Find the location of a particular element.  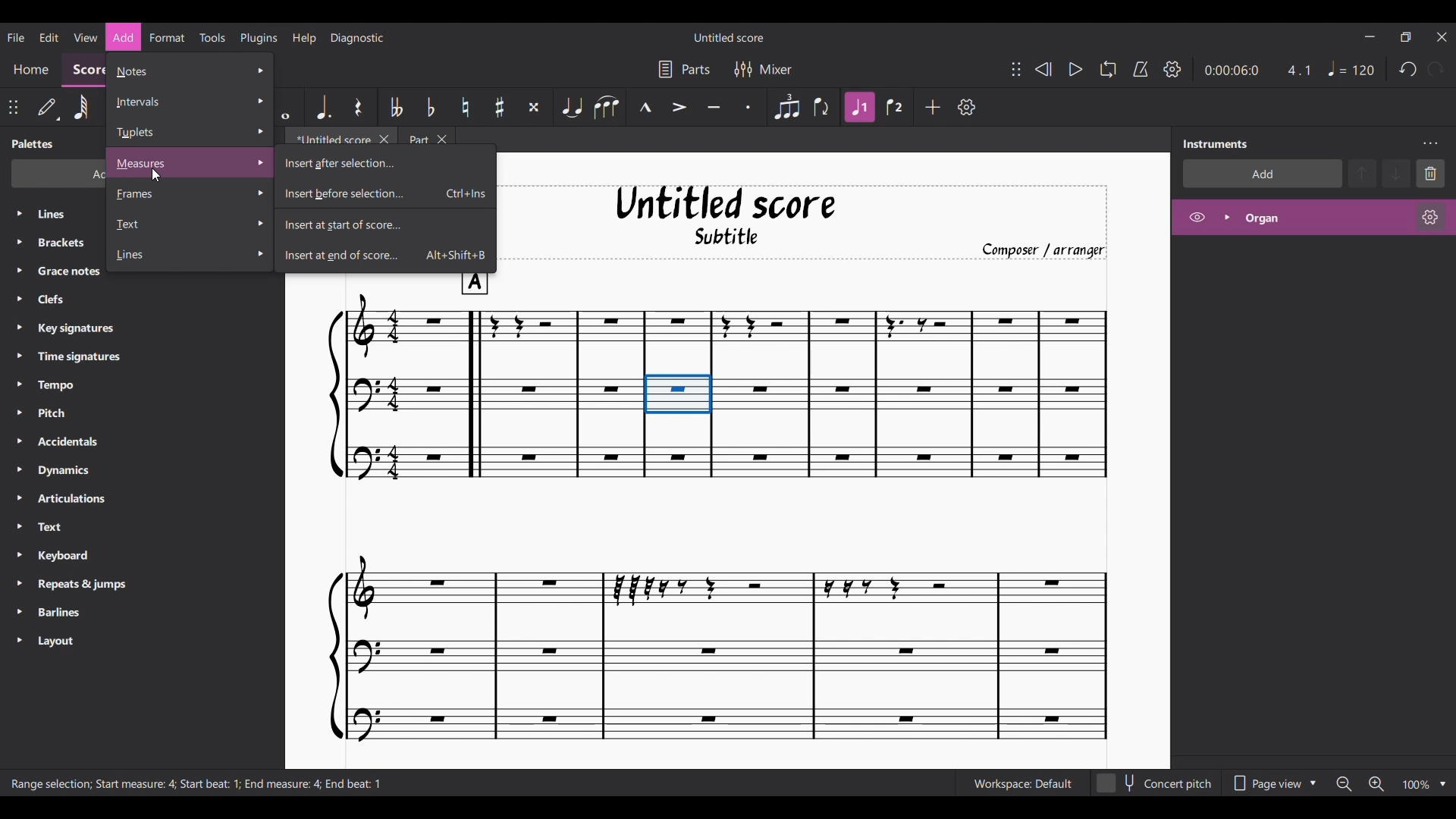

Customize tools is located at coordinates (966, 106).